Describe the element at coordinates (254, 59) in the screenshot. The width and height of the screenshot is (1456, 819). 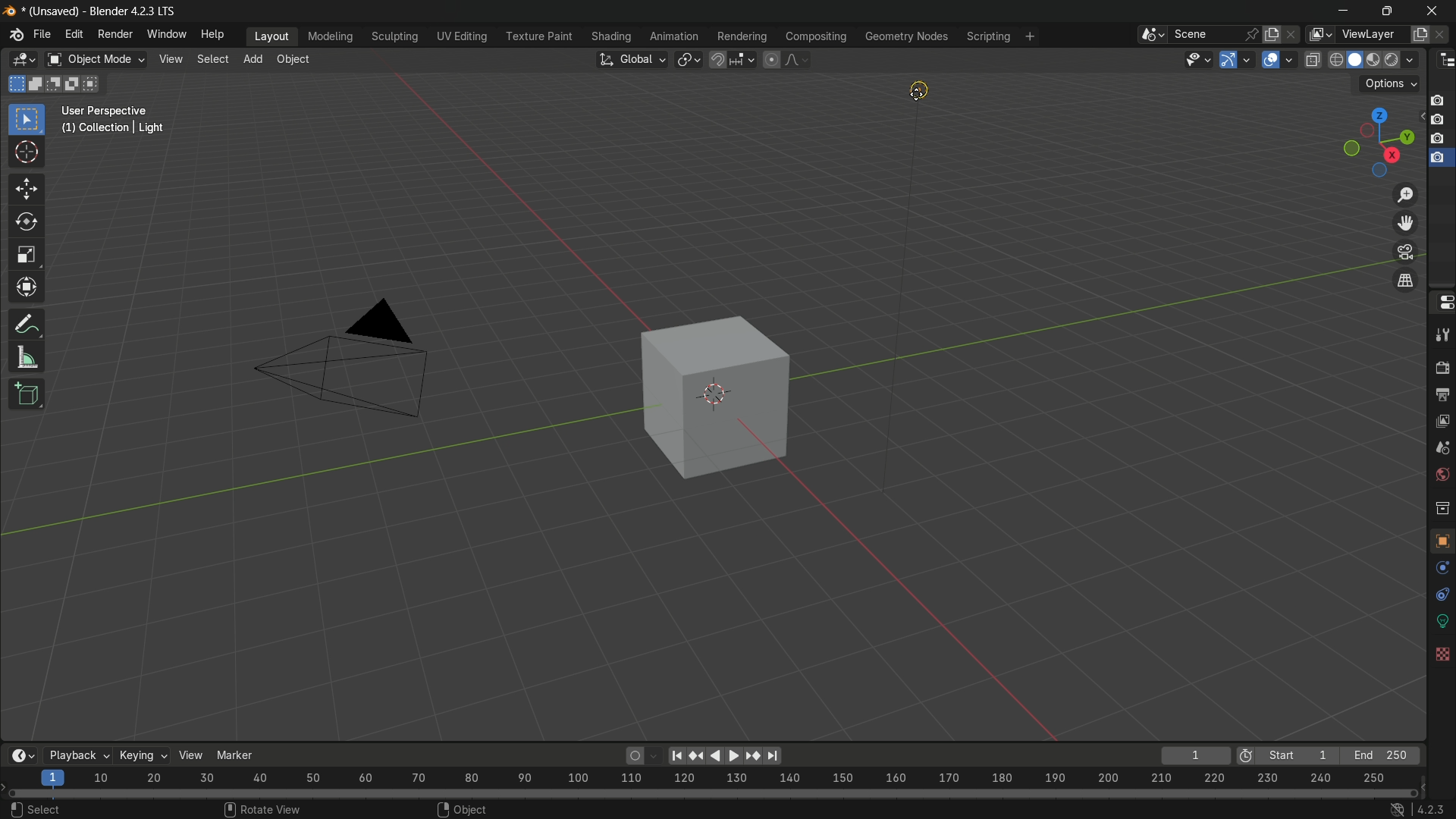
I see `add` at that location.